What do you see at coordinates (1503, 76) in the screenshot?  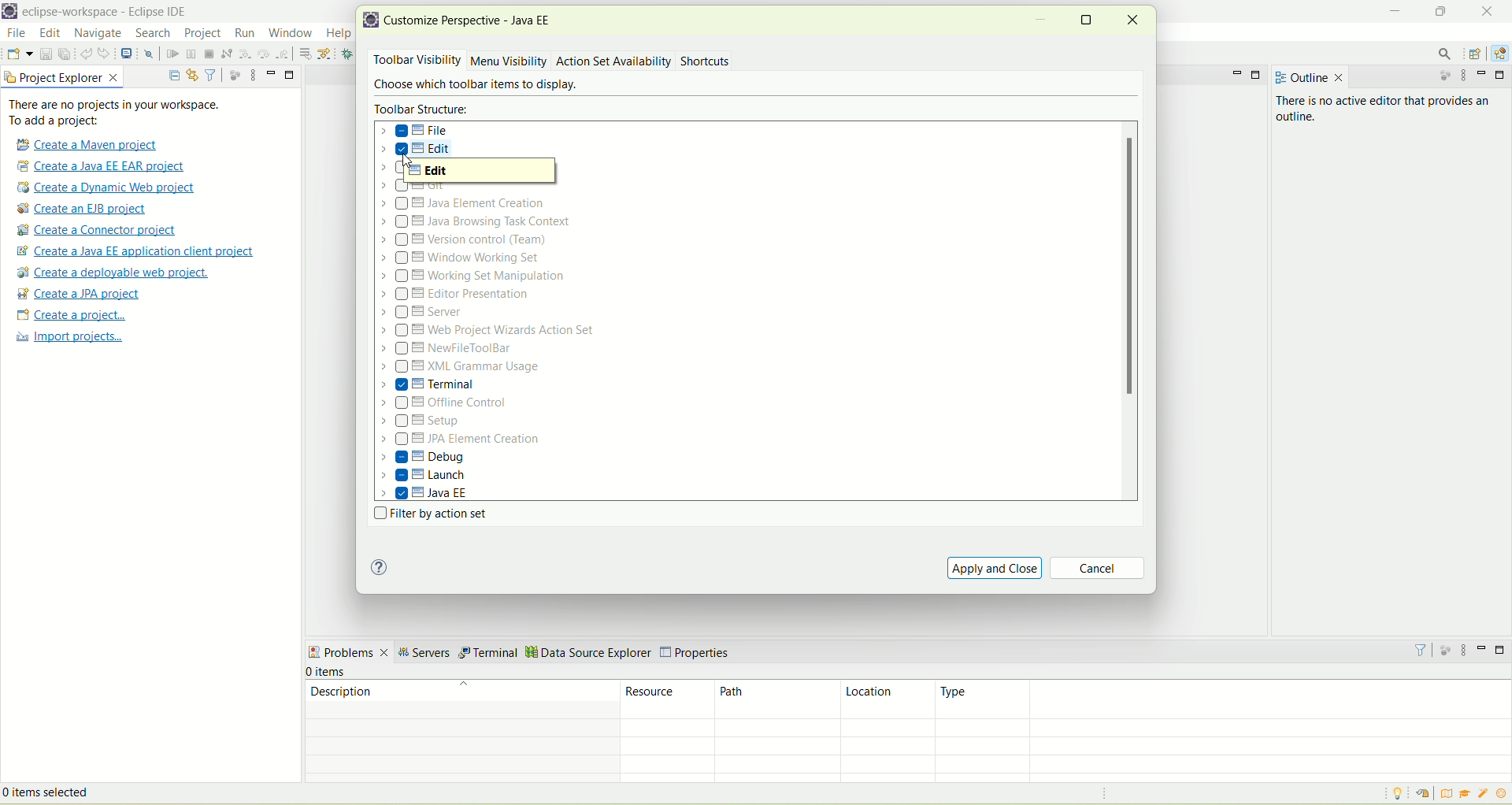 I see `maximize` at bounding box center [1503, 76].